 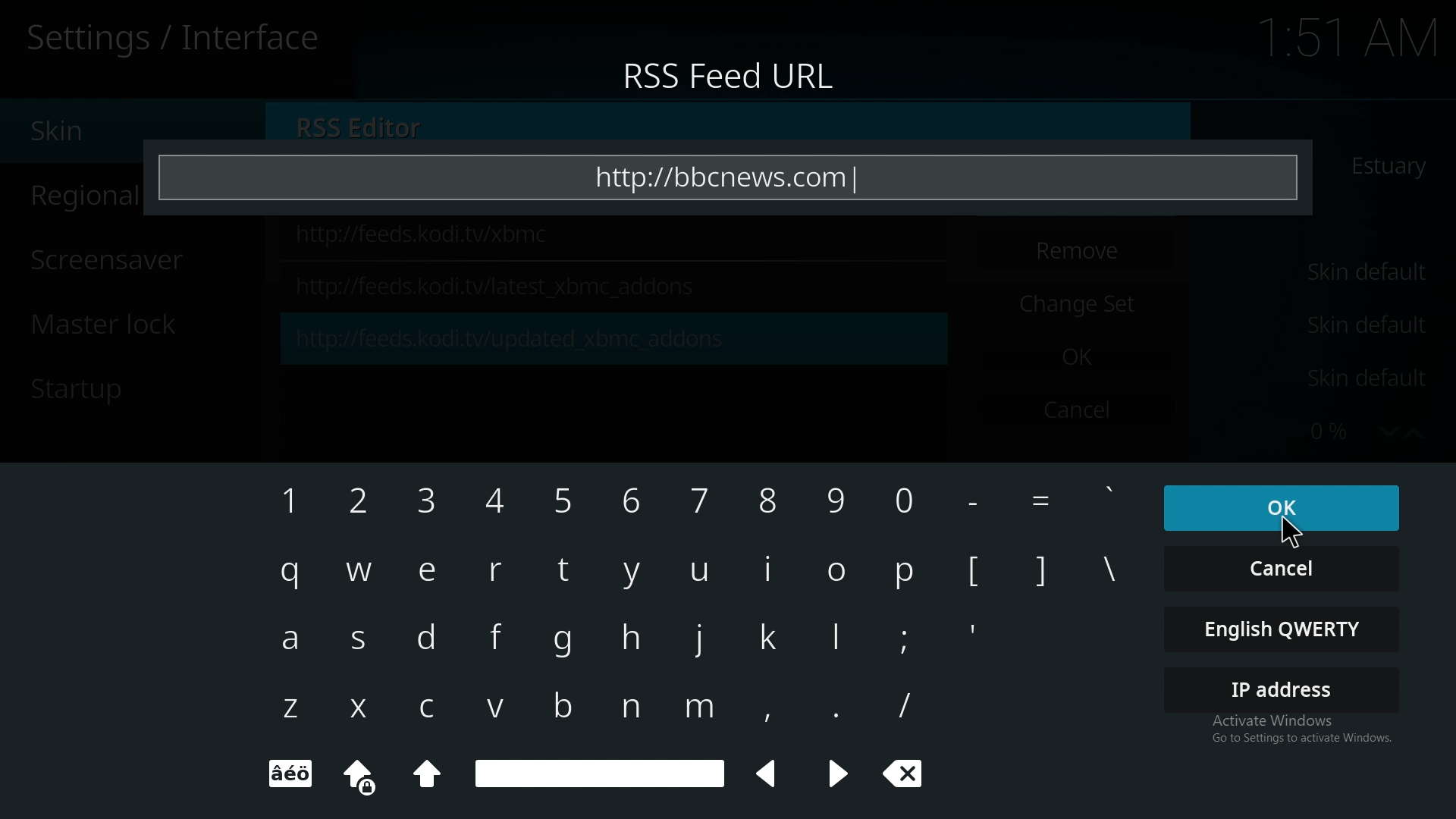 I want to click on keyboard Input, so click(x=701, y=499).